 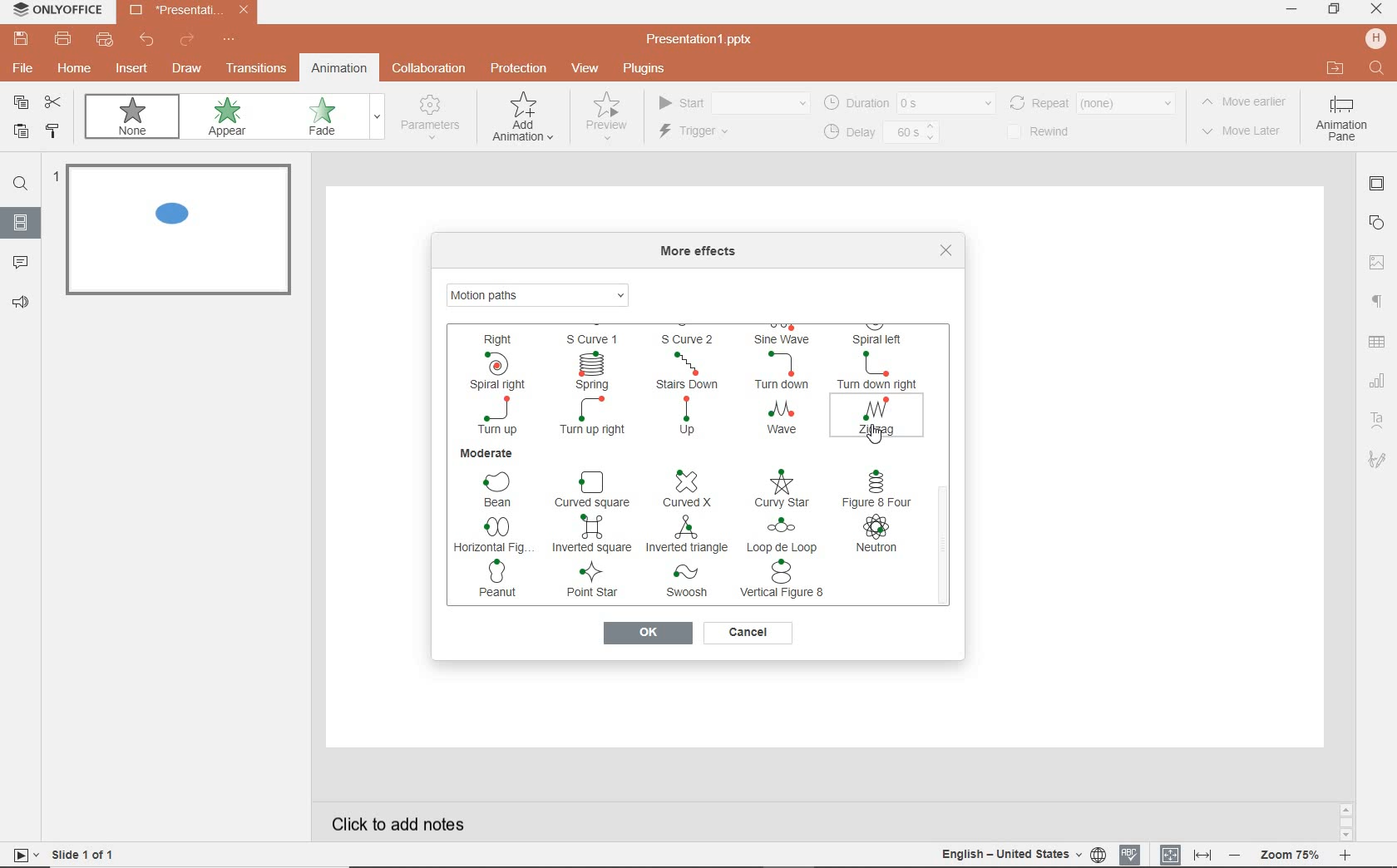 I want to click on transitions, so click(x=256, y=70).